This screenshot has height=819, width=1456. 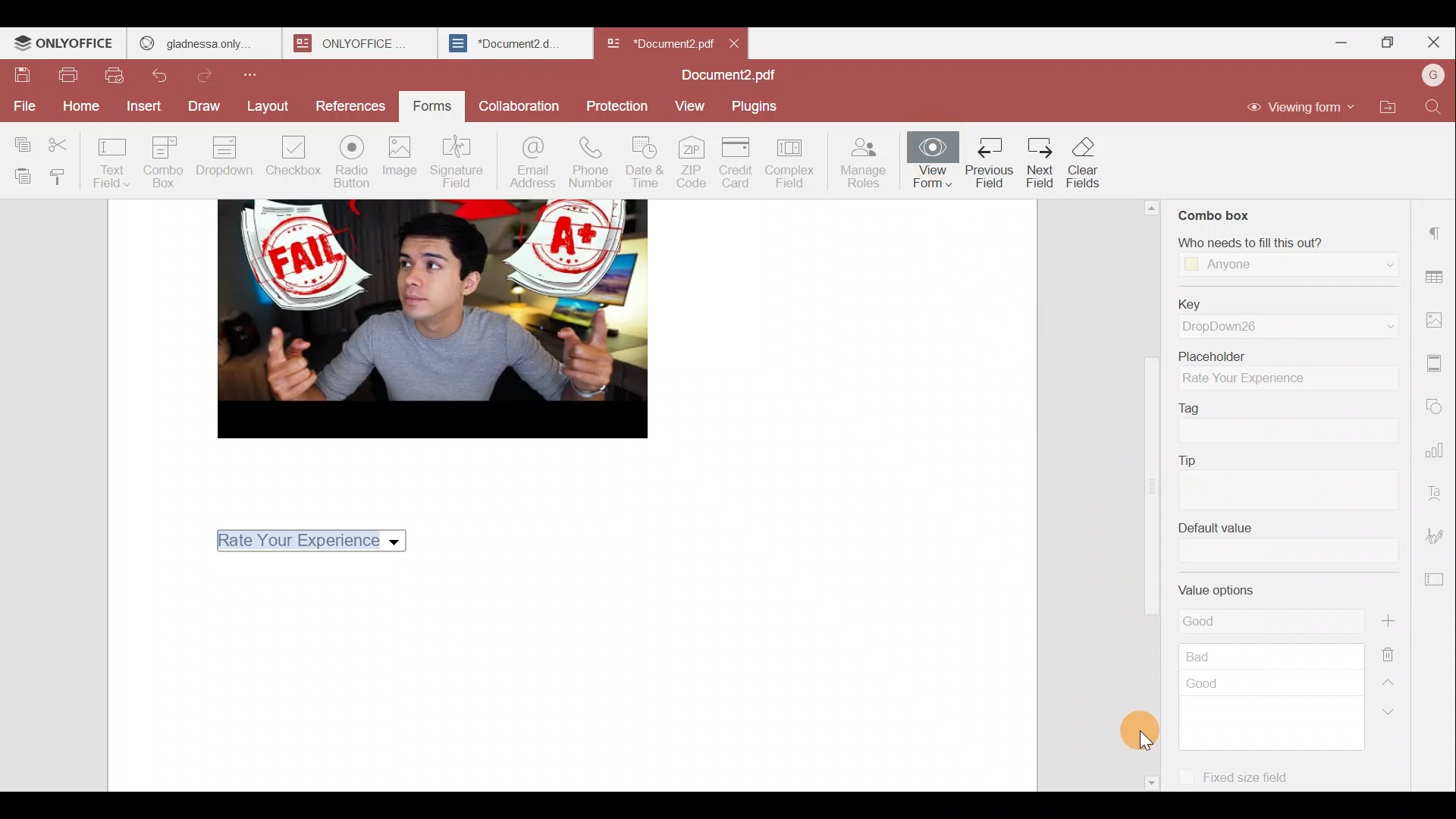 I want to click on image, so click(x=431, y=318).